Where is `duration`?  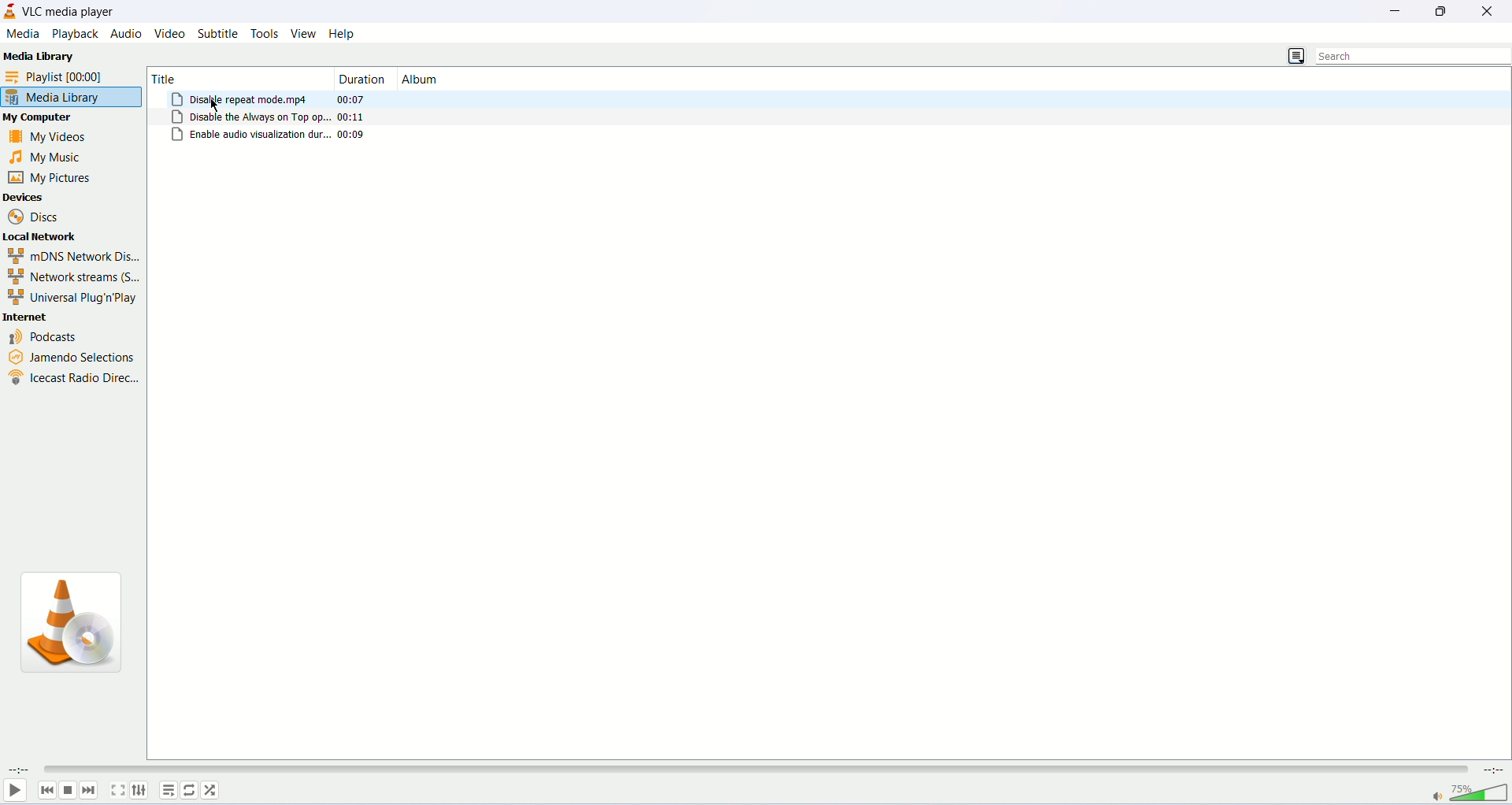
duration is located at coordinates (363, 78).